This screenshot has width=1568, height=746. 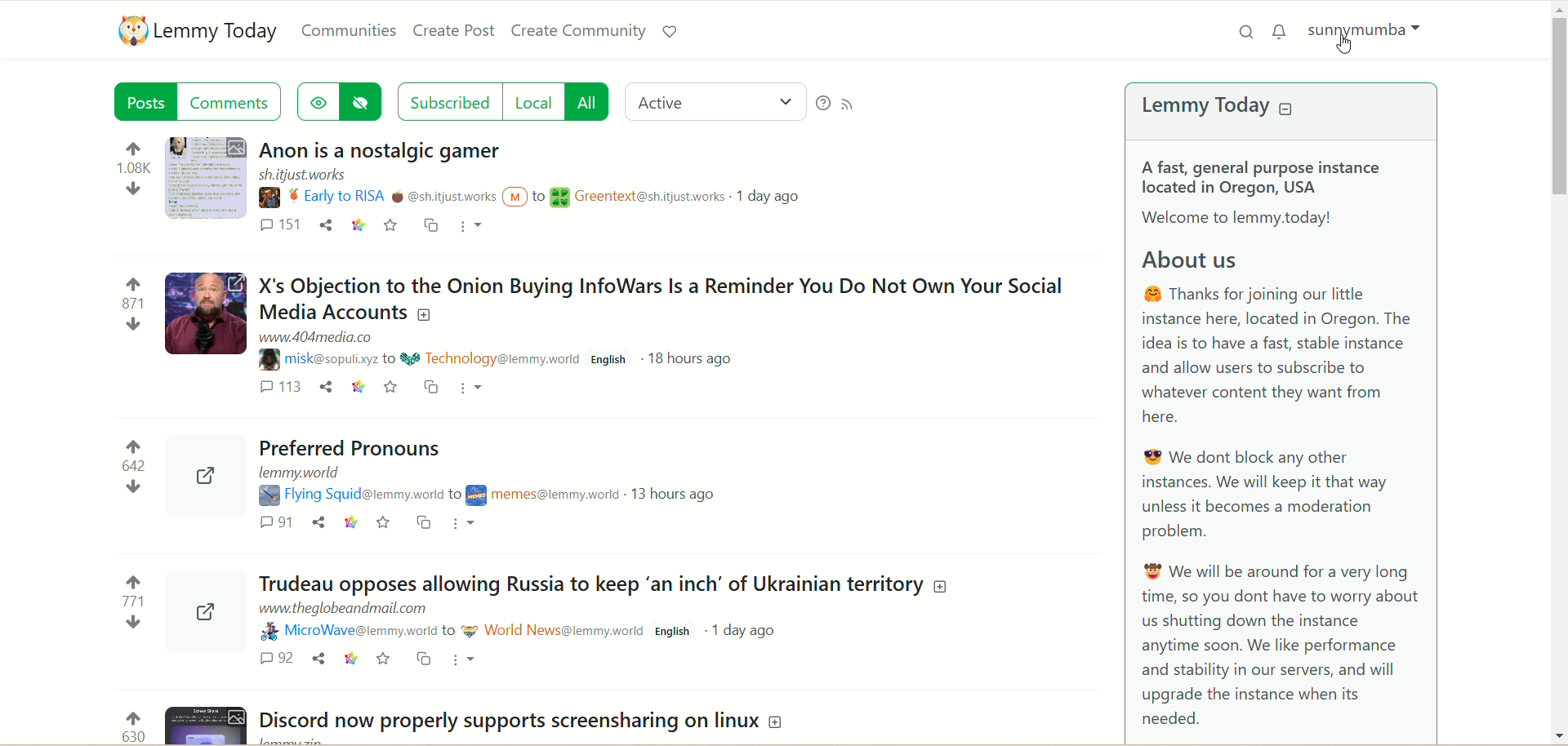 I want to click on Votes, so click(x=131, y=609).